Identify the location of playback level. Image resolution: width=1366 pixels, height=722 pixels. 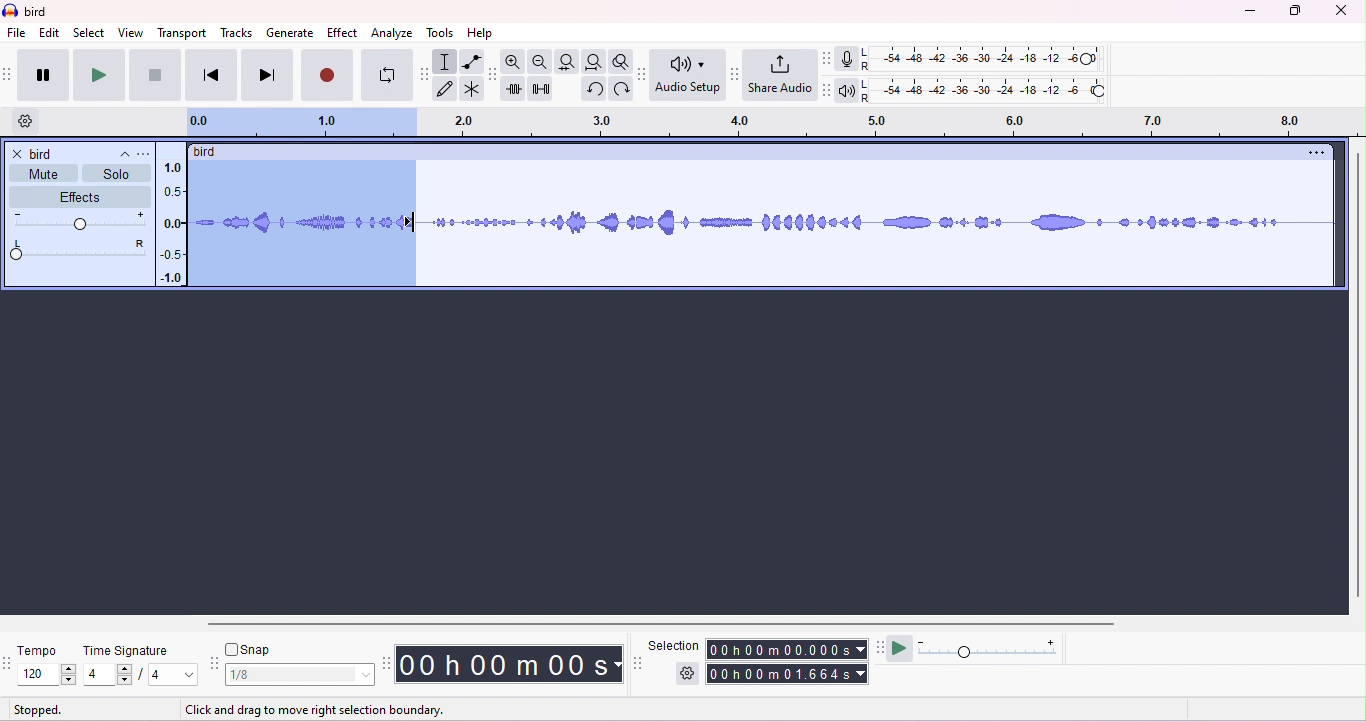
(997, 90).